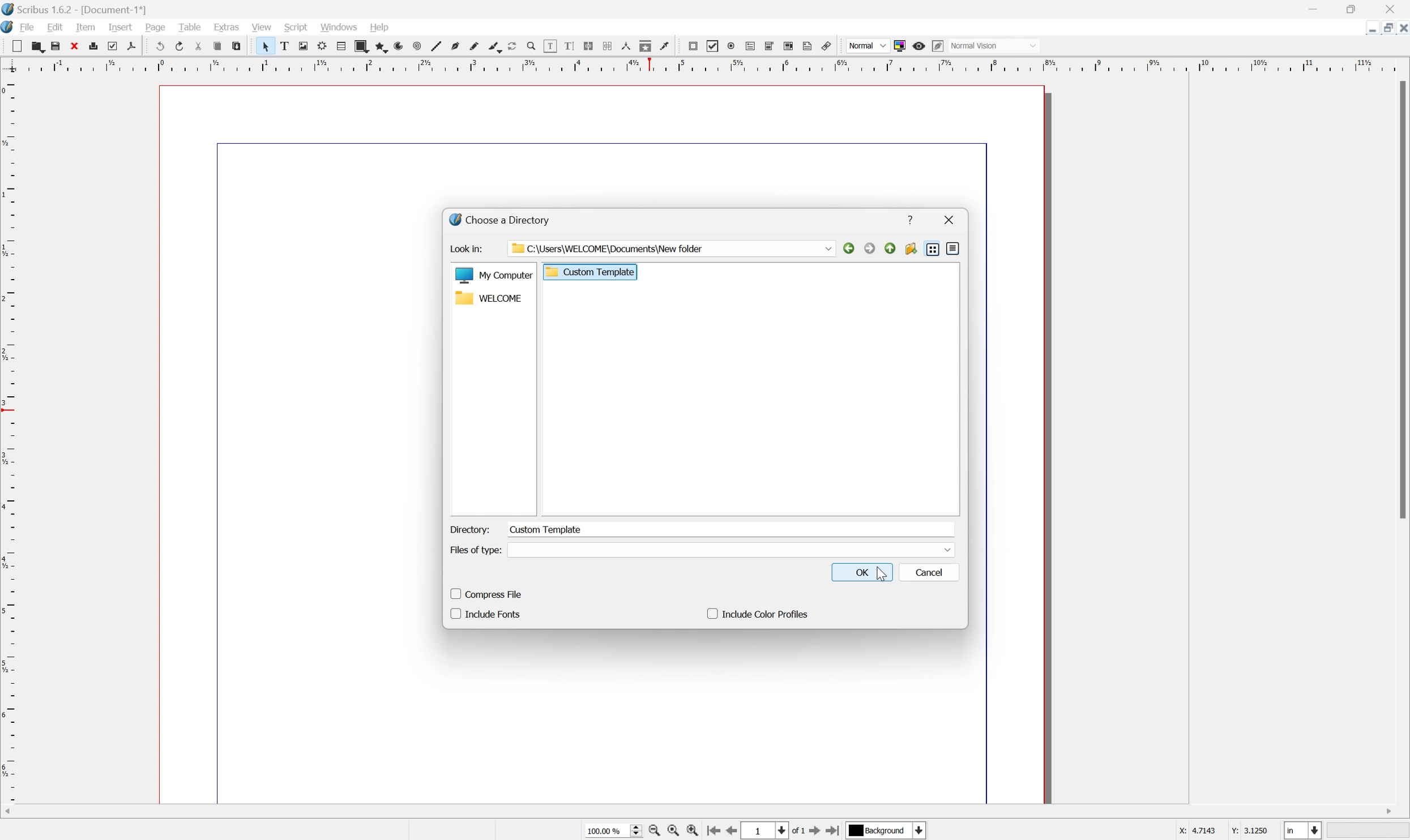 Image resolution: width=1410 pixels, height=840 pixels. What do you see at coordinates (951, 220) in the screenshot?
I see `close` at bounding box center [951, 220].